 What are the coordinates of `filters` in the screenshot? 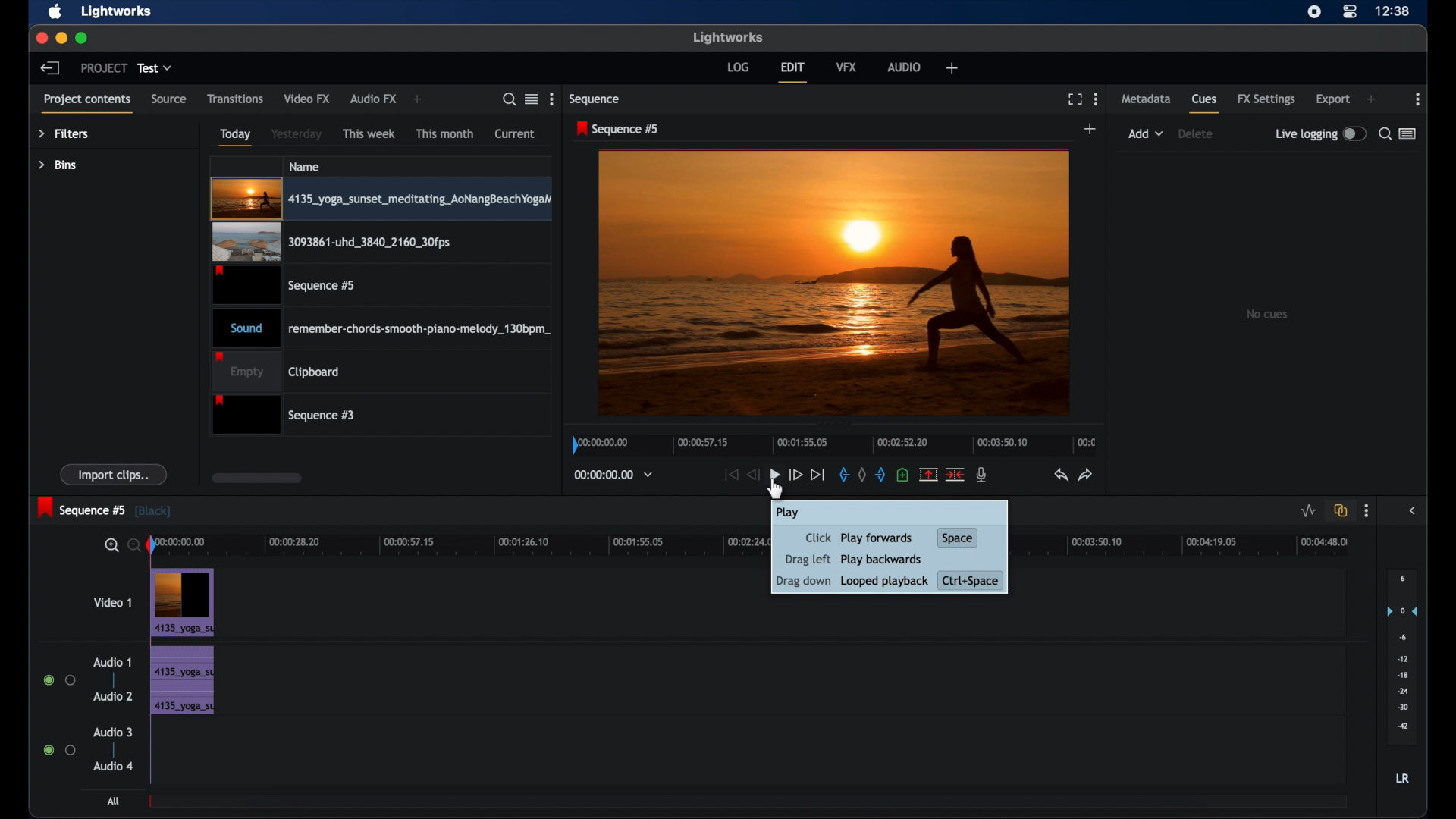 It's located at (63, 134).